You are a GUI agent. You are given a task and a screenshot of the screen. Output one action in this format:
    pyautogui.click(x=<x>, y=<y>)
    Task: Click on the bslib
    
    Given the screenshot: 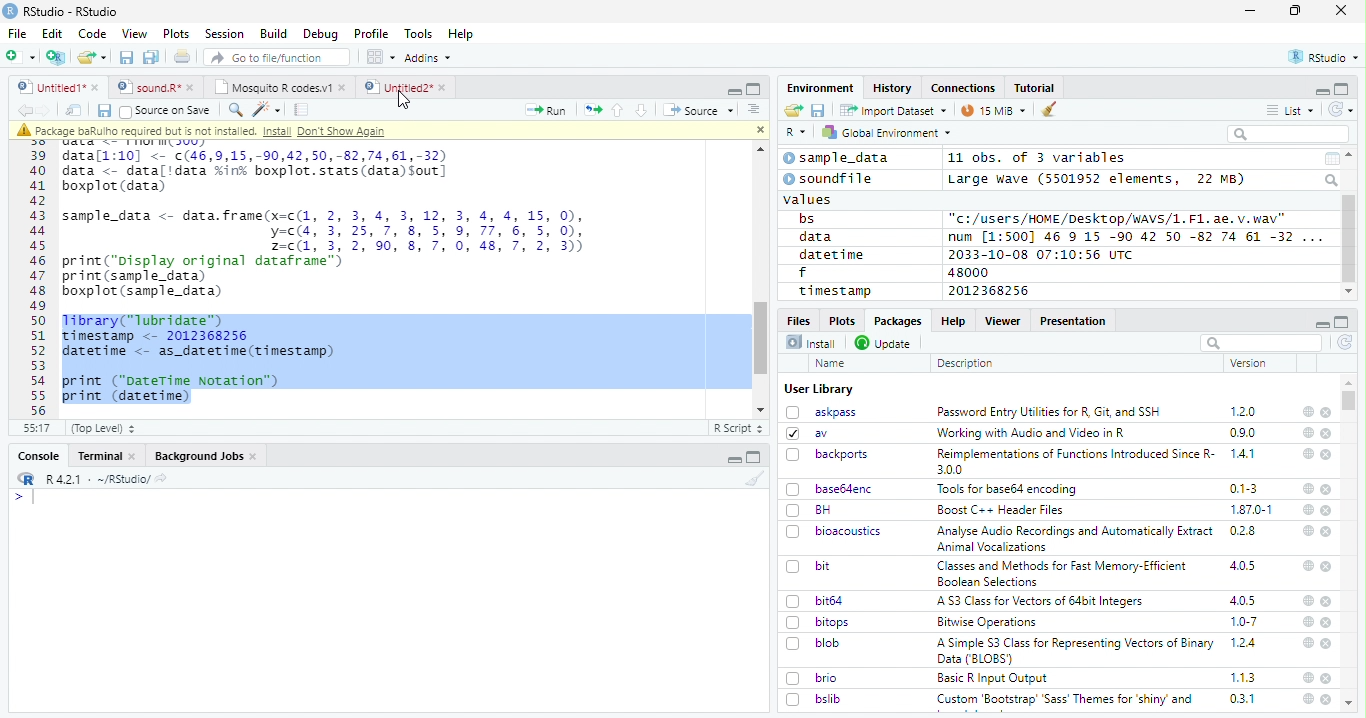 What is the action you would take?
    pyautogui.click(x=814, y=698)
    